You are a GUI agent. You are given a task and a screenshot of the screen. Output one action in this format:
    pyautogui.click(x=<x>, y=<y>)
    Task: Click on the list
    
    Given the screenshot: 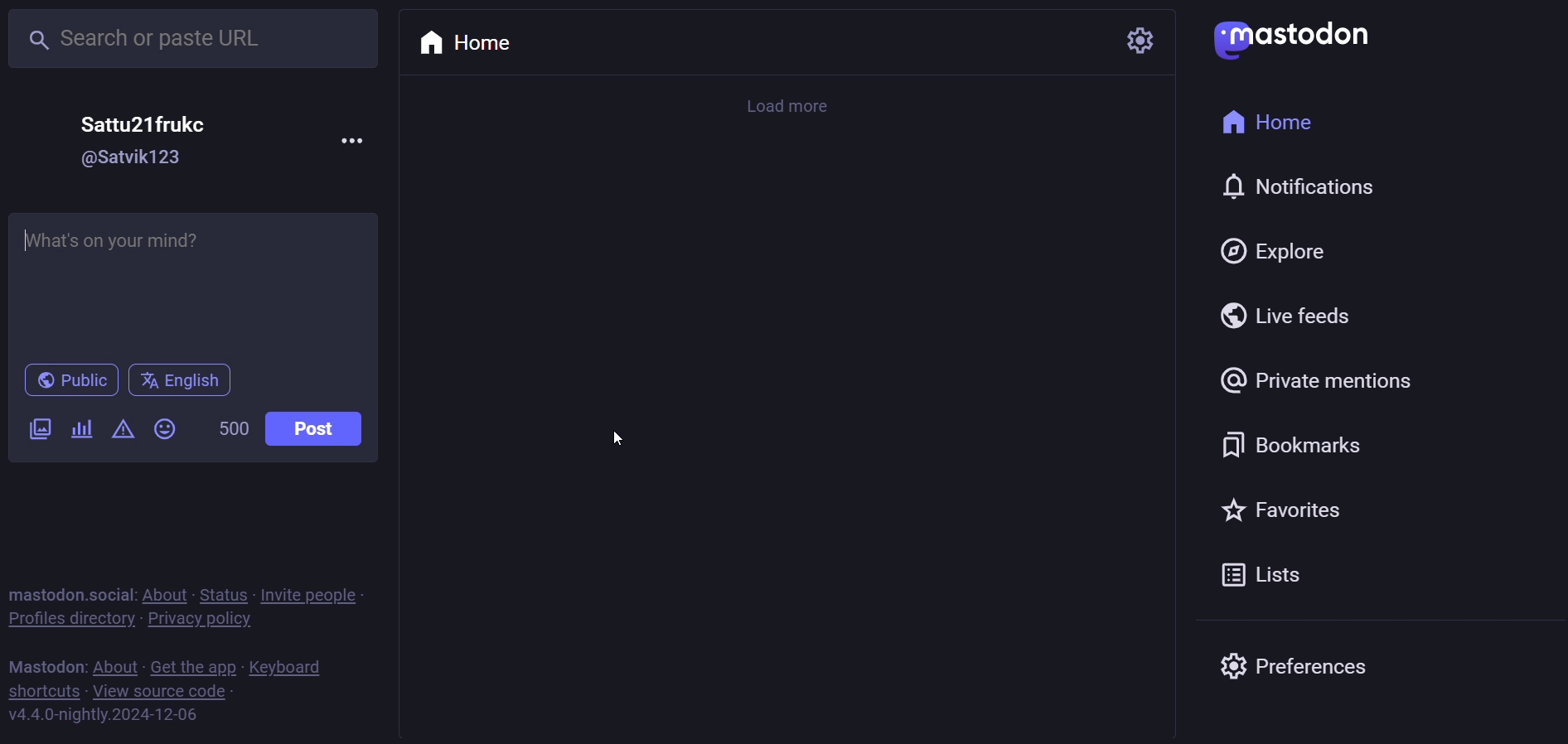 What is the action you would take?
    pyautogui.click(x=1256, y=577)
    